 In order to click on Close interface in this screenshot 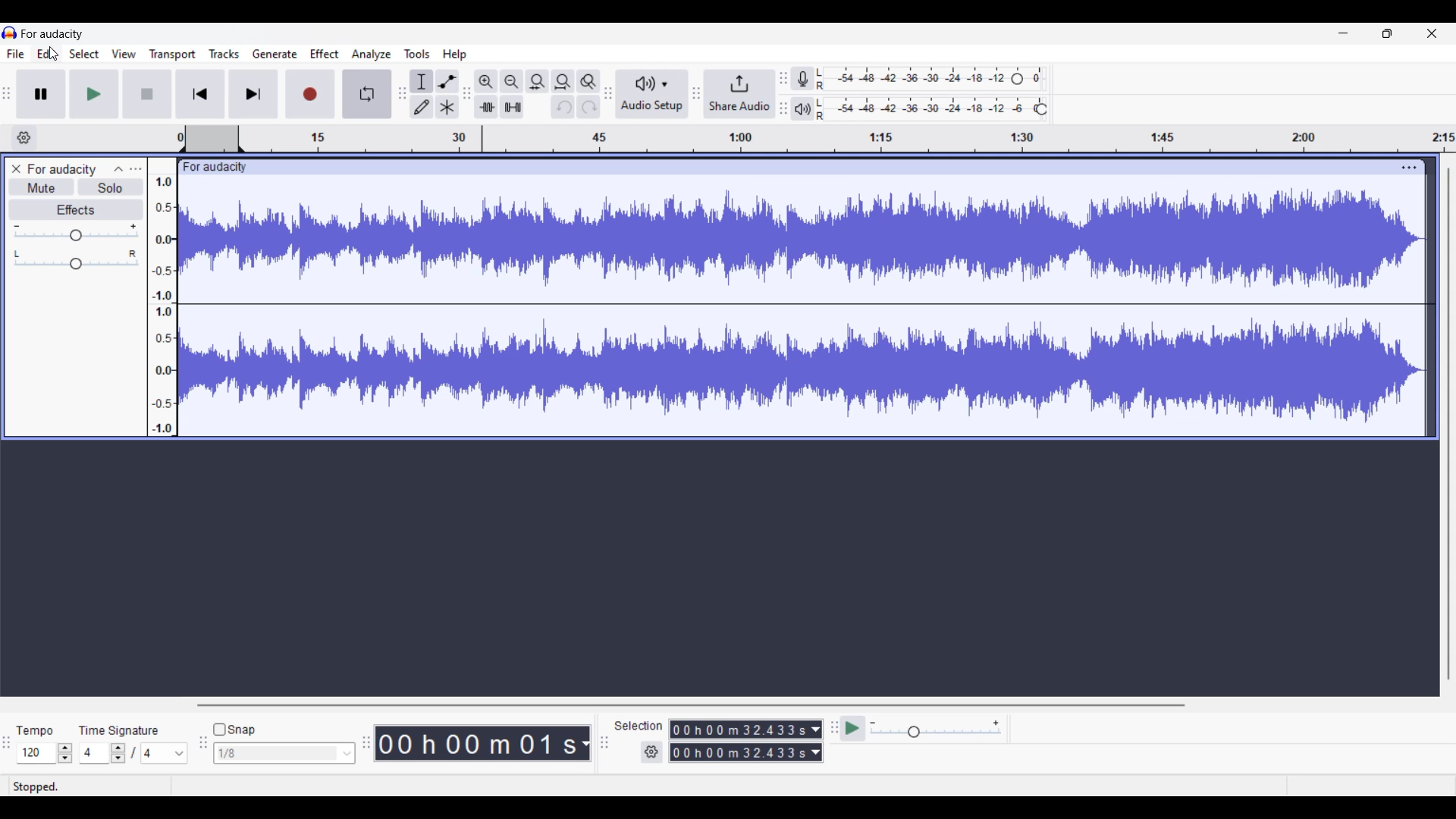, I will do `click(1432, 33)`.